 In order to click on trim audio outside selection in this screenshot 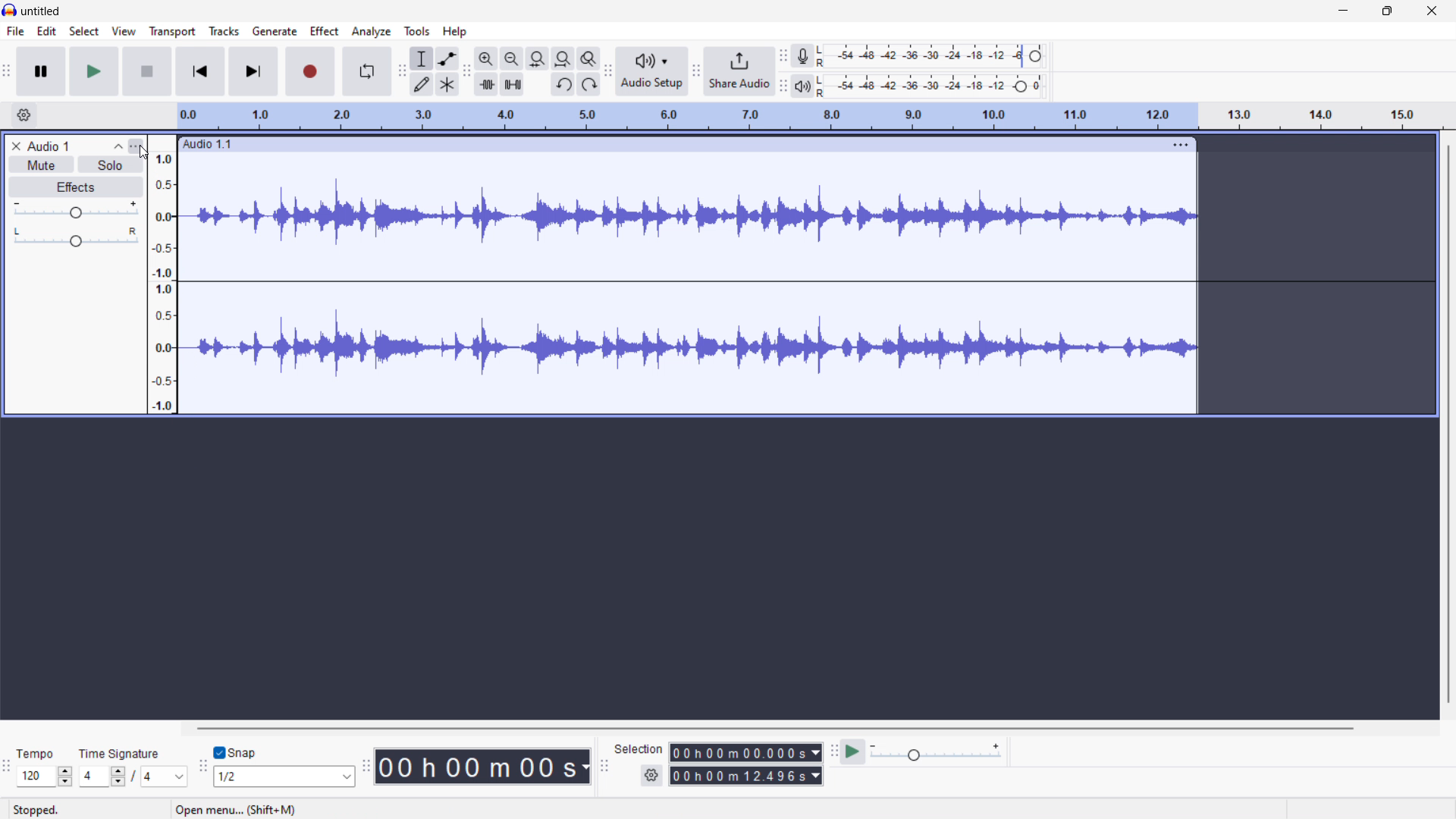, I will do `click(486, 85)`.